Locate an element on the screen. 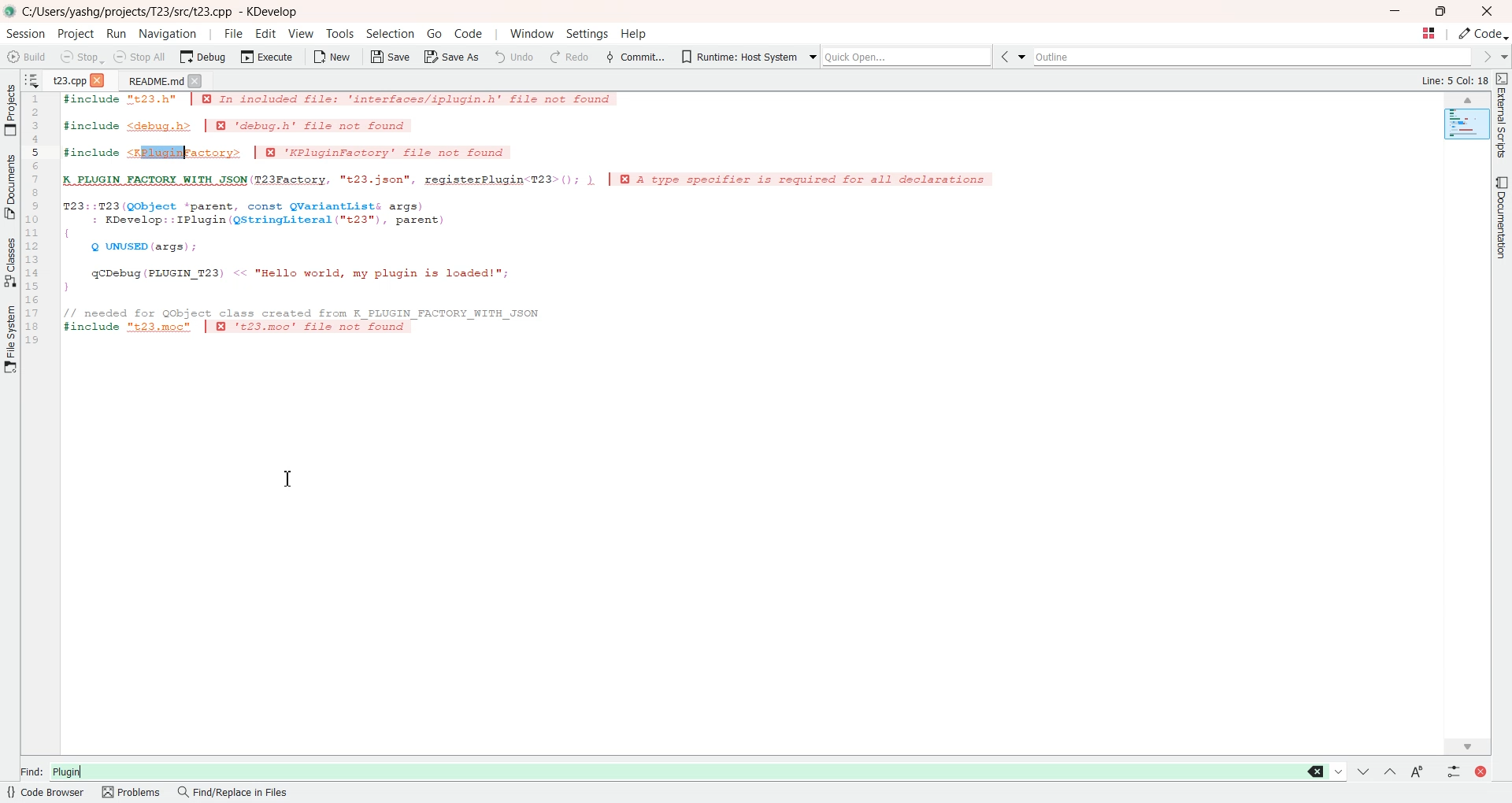  Match case Sensitive is located at coordinates (1415, 771).